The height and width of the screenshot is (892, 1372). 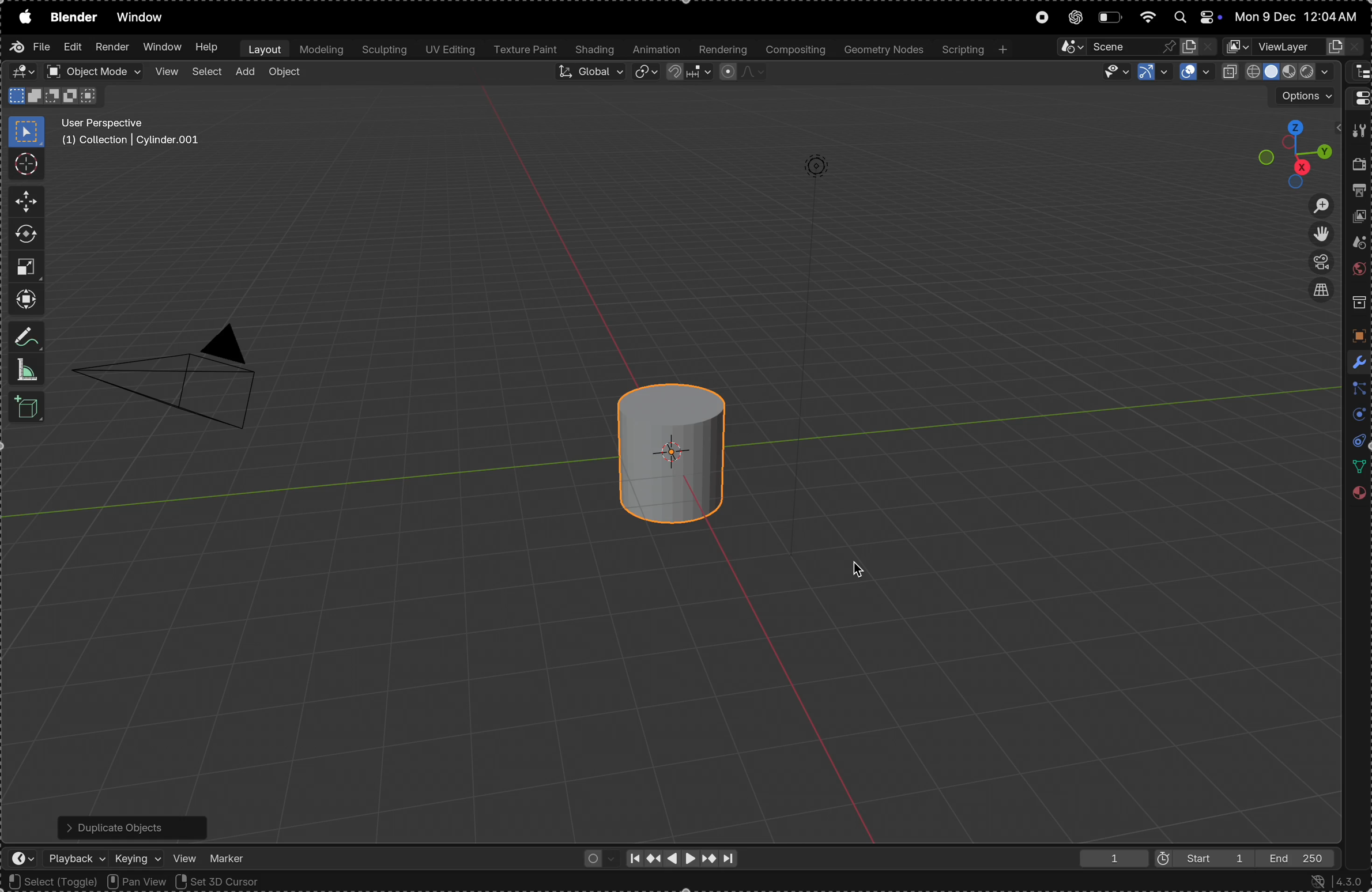 What do you see at coordinates (1193, 17) in the screenshot?
I see `apple widgets` at bounding box center [1193, 17].